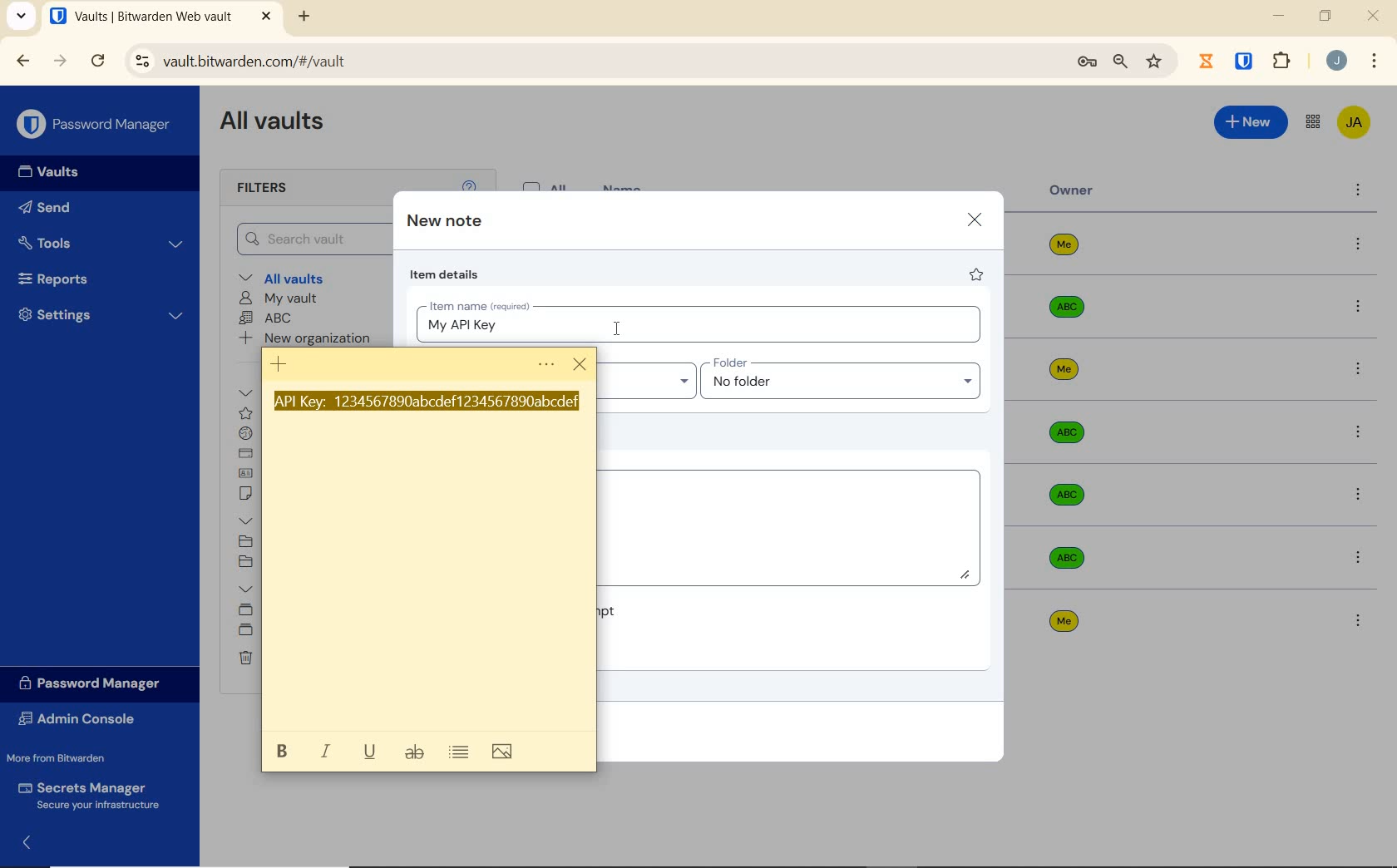 This screenshot has width=1397, height=868. What do you see at coordinates (23, 60) in the screenshot?
I see `BACK` at bounding box center [23, 60].